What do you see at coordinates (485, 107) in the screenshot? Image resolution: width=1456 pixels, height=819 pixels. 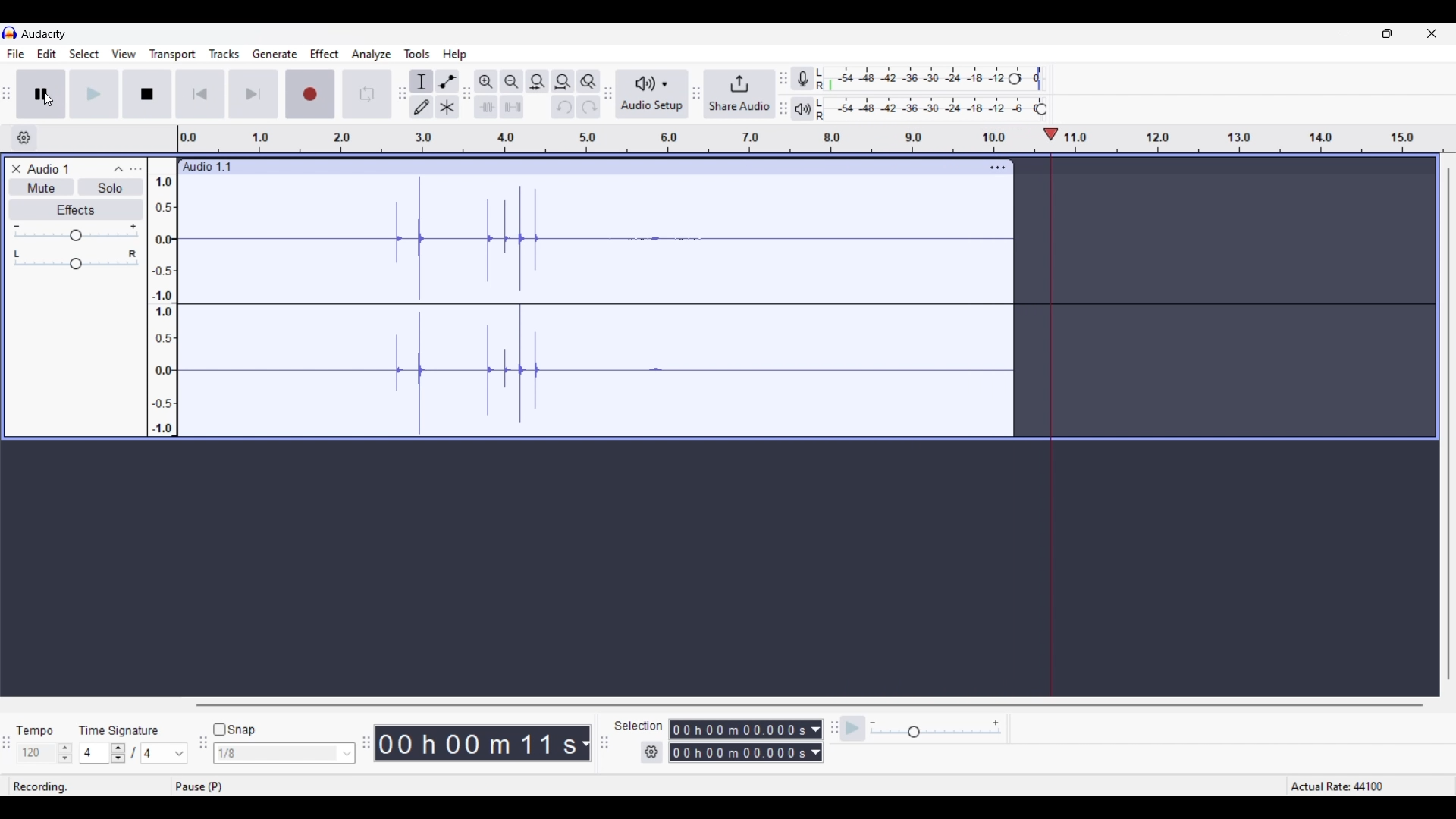 I see `Trim audio outside selection` at bounding box center [485, 107].